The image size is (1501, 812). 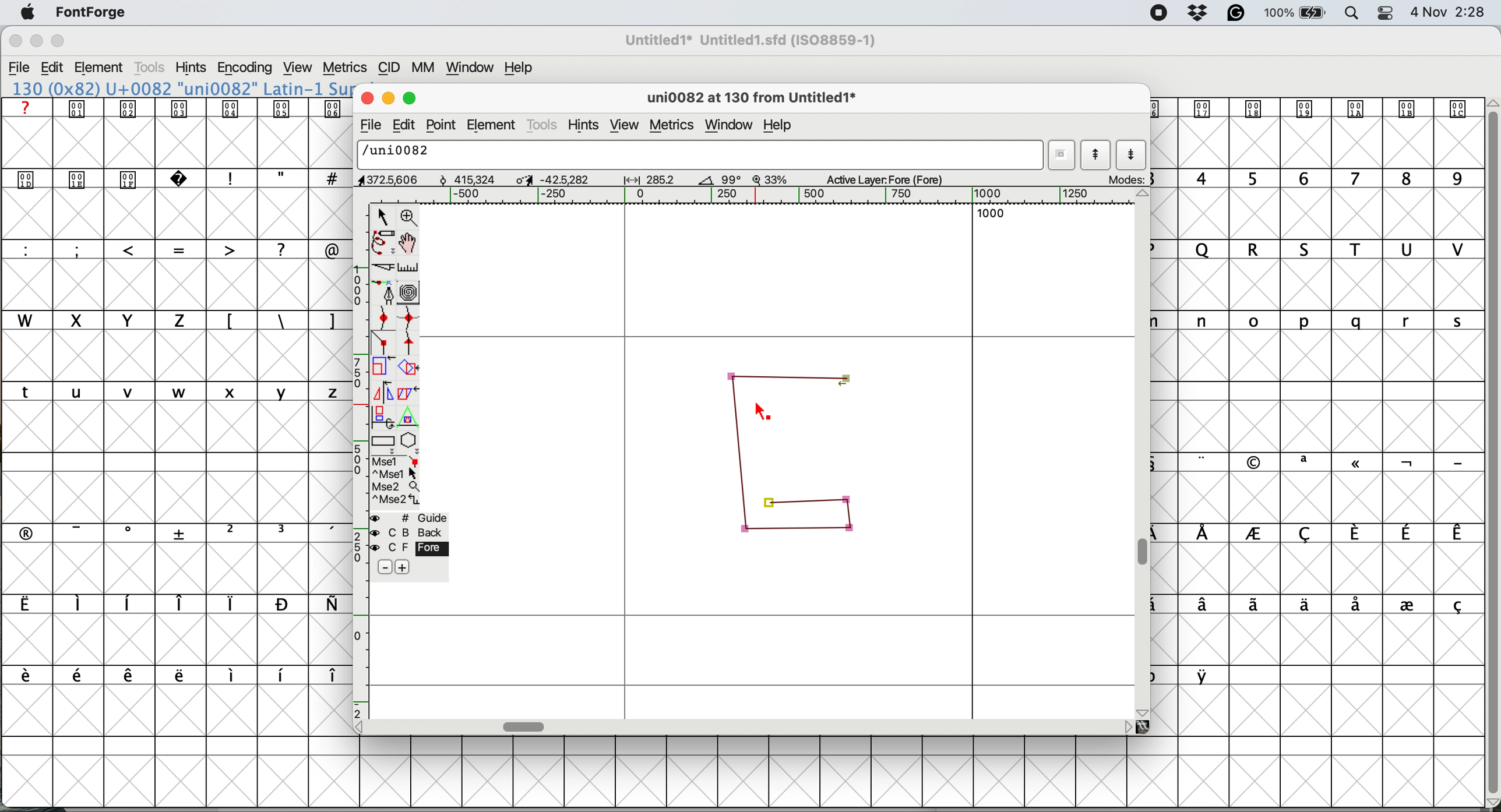 I want to click on rotate the selection, so click(x=409, y=369).